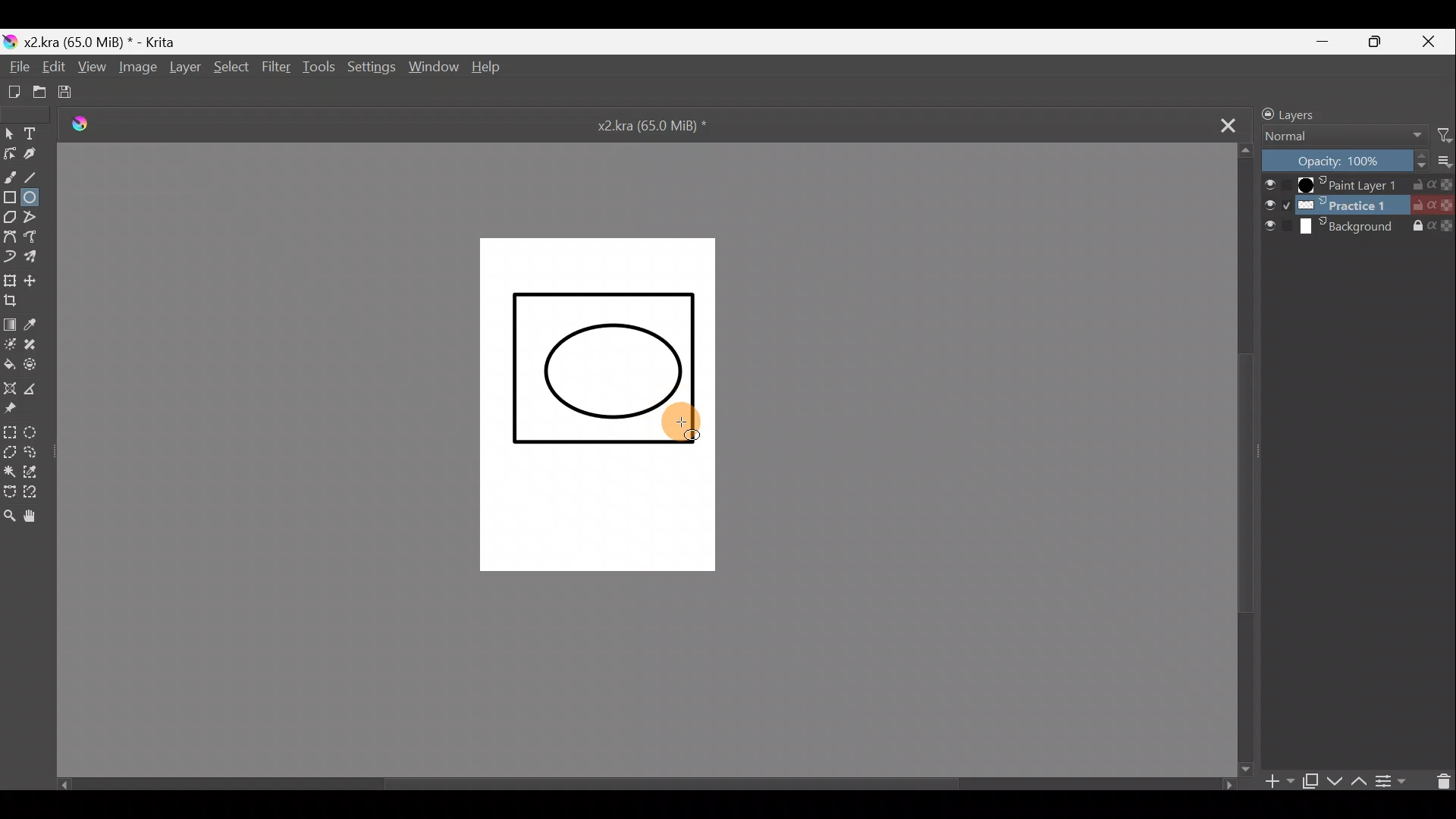 The height and width of the screenshot is (819, 1456). I want to click on Help, so click(490, 69).